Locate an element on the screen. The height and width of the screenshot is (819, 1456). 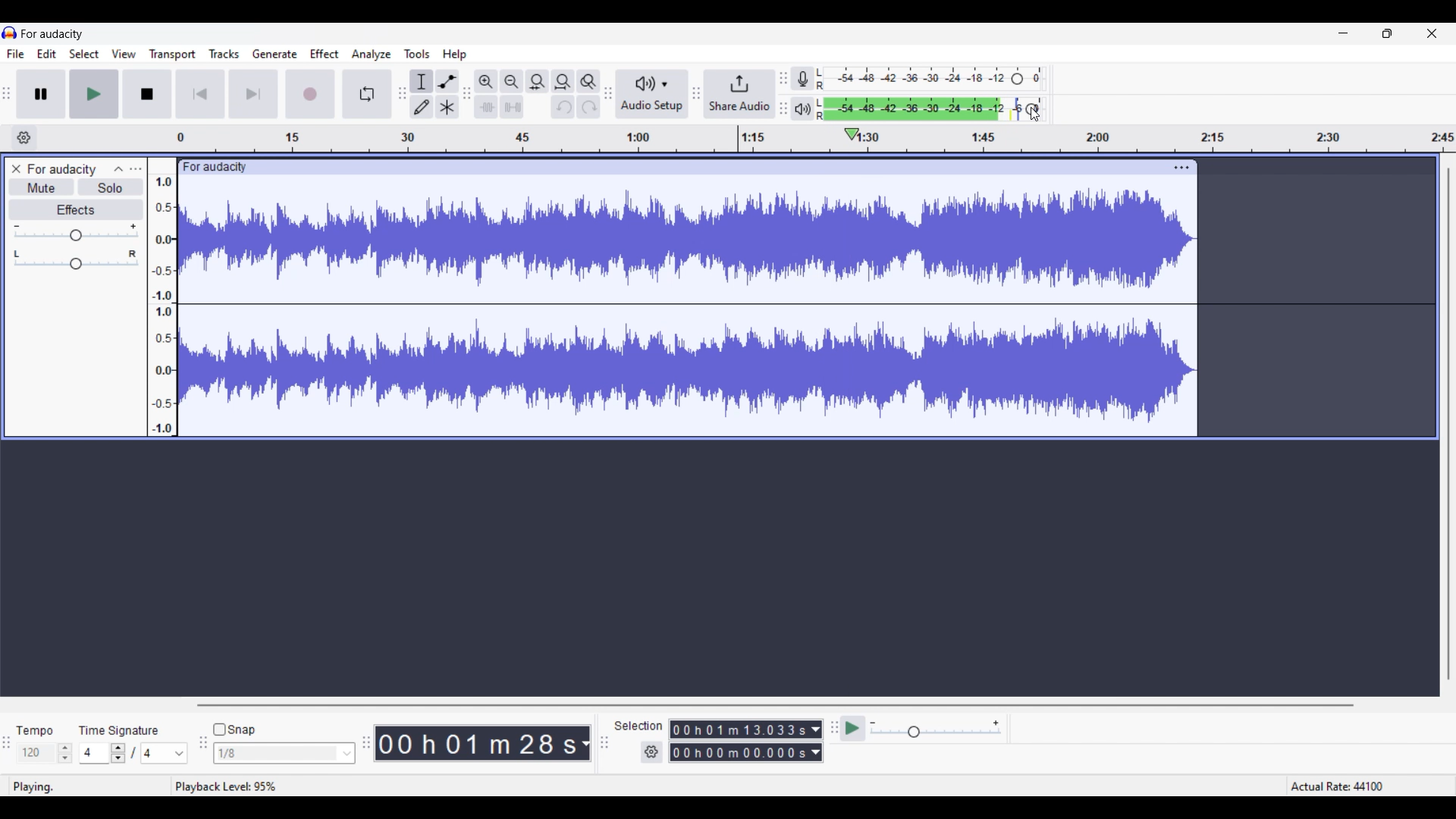
Horizontal slide bar is located at coordinates (774, 704).